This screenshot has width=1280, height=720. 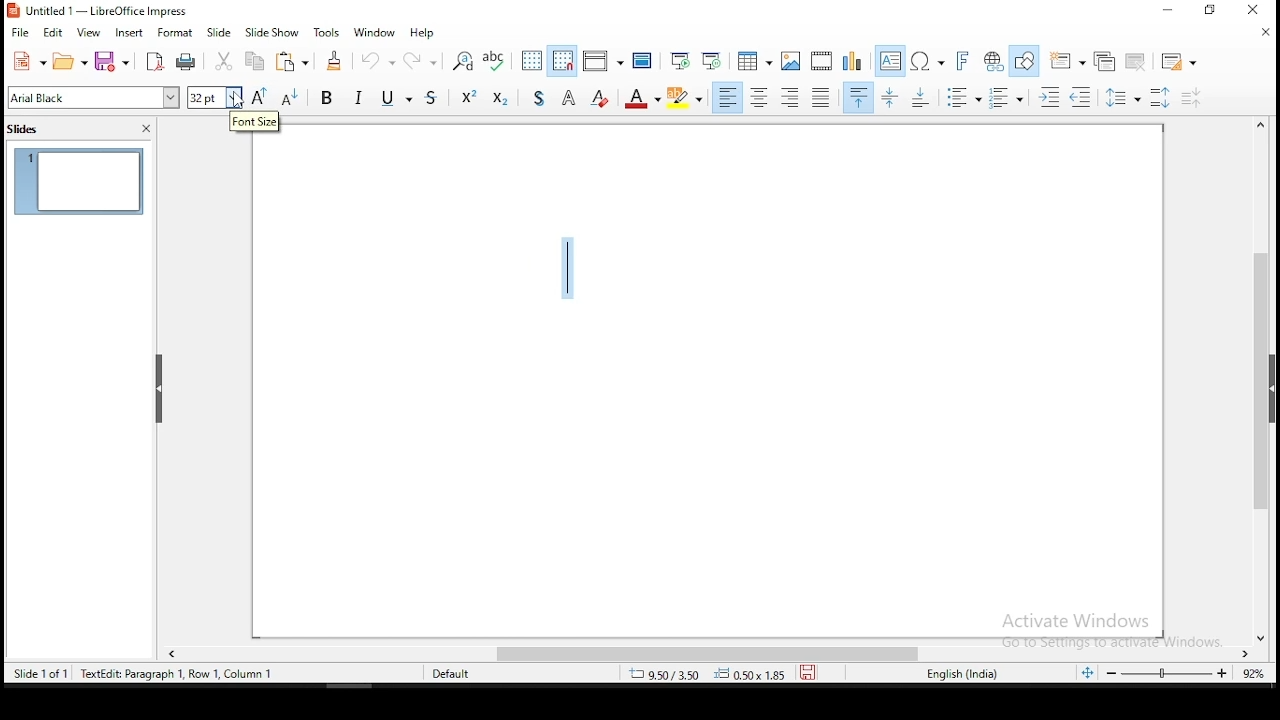 What do you see at coordinates (1137, 61) in the screenshot?
I see `delete slide` at bounding box center [1137, 61].